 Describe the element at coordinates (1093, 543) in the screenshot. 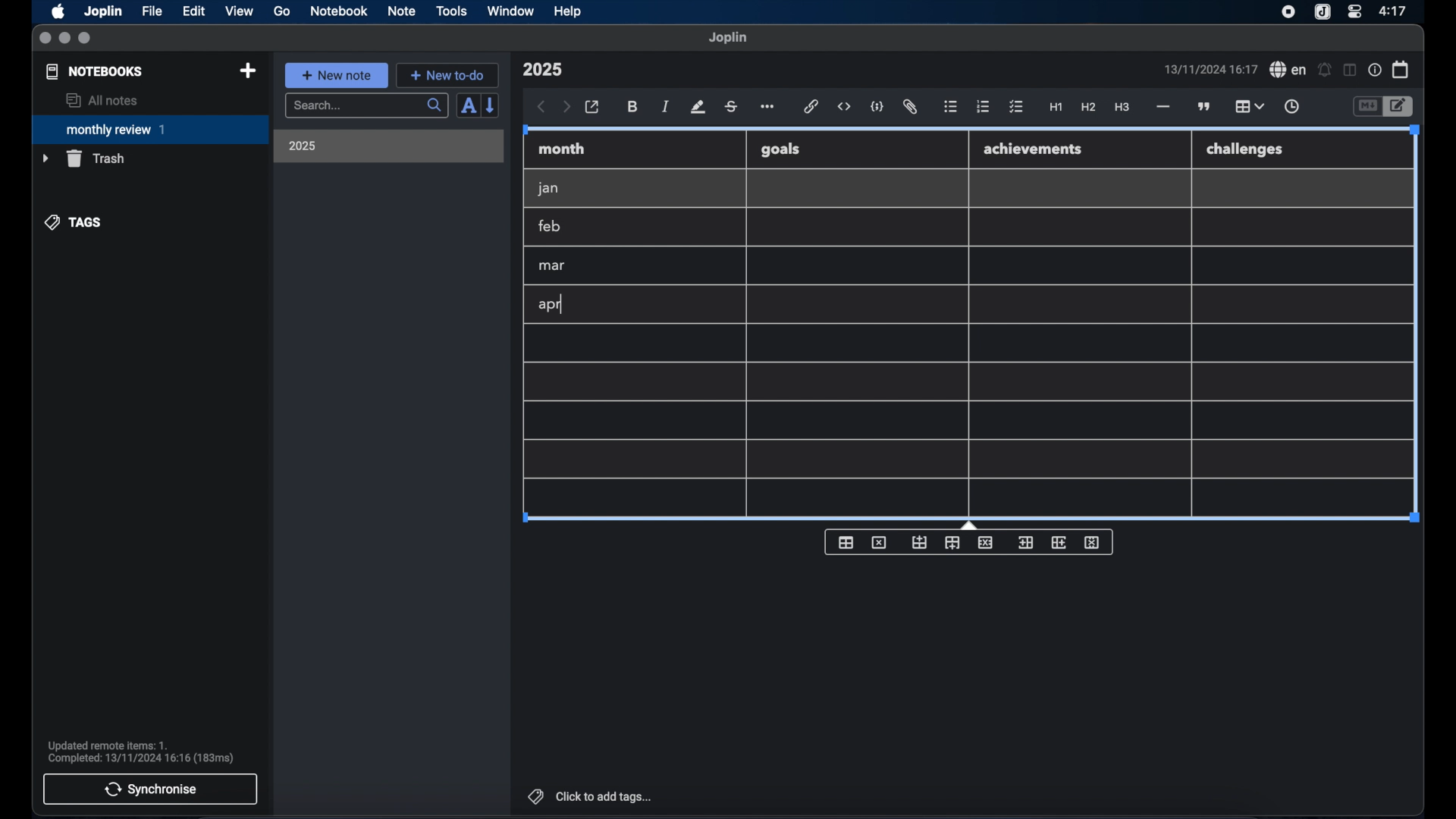

I see `delete column` at that location.